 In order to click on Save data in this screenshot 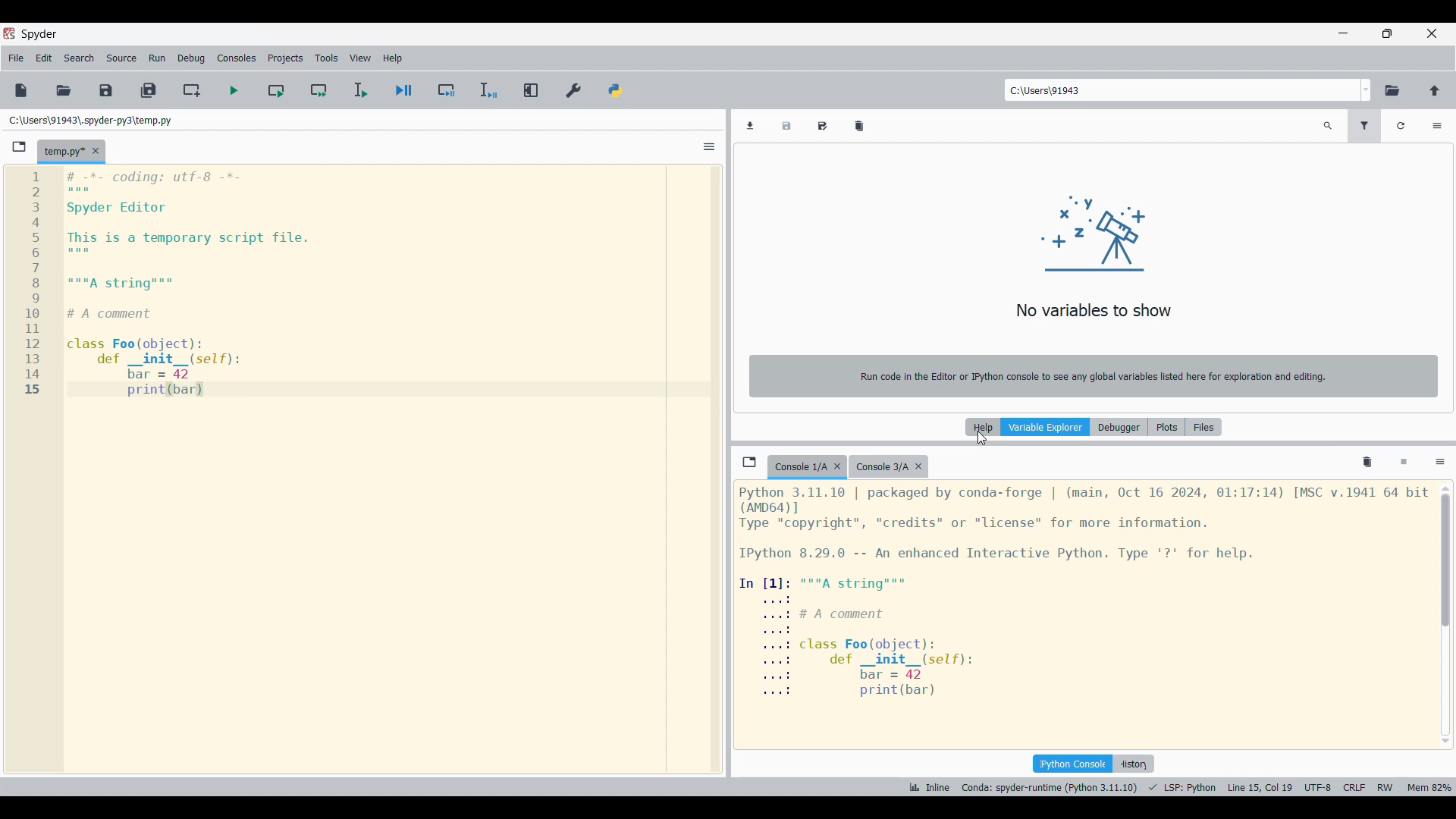, I will do `click(786, 126)`.